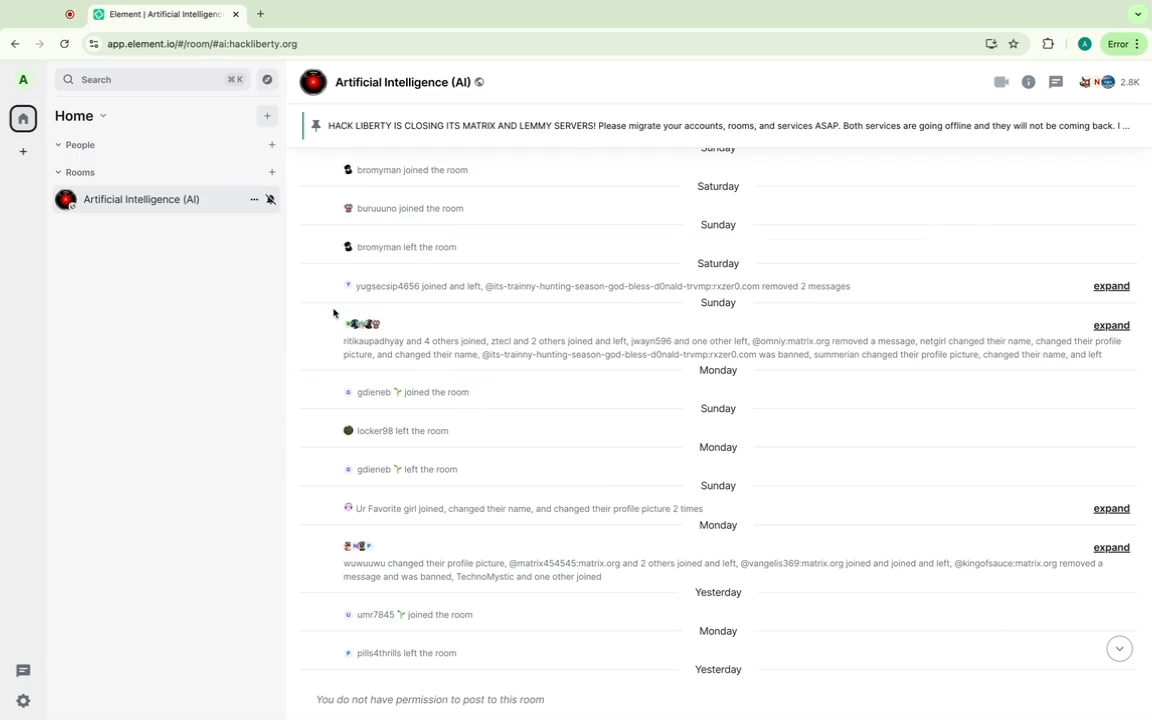  What do you see at coordinates (408, 618) in the screenshot?
I see `Message` at bounding box center [408, 618].